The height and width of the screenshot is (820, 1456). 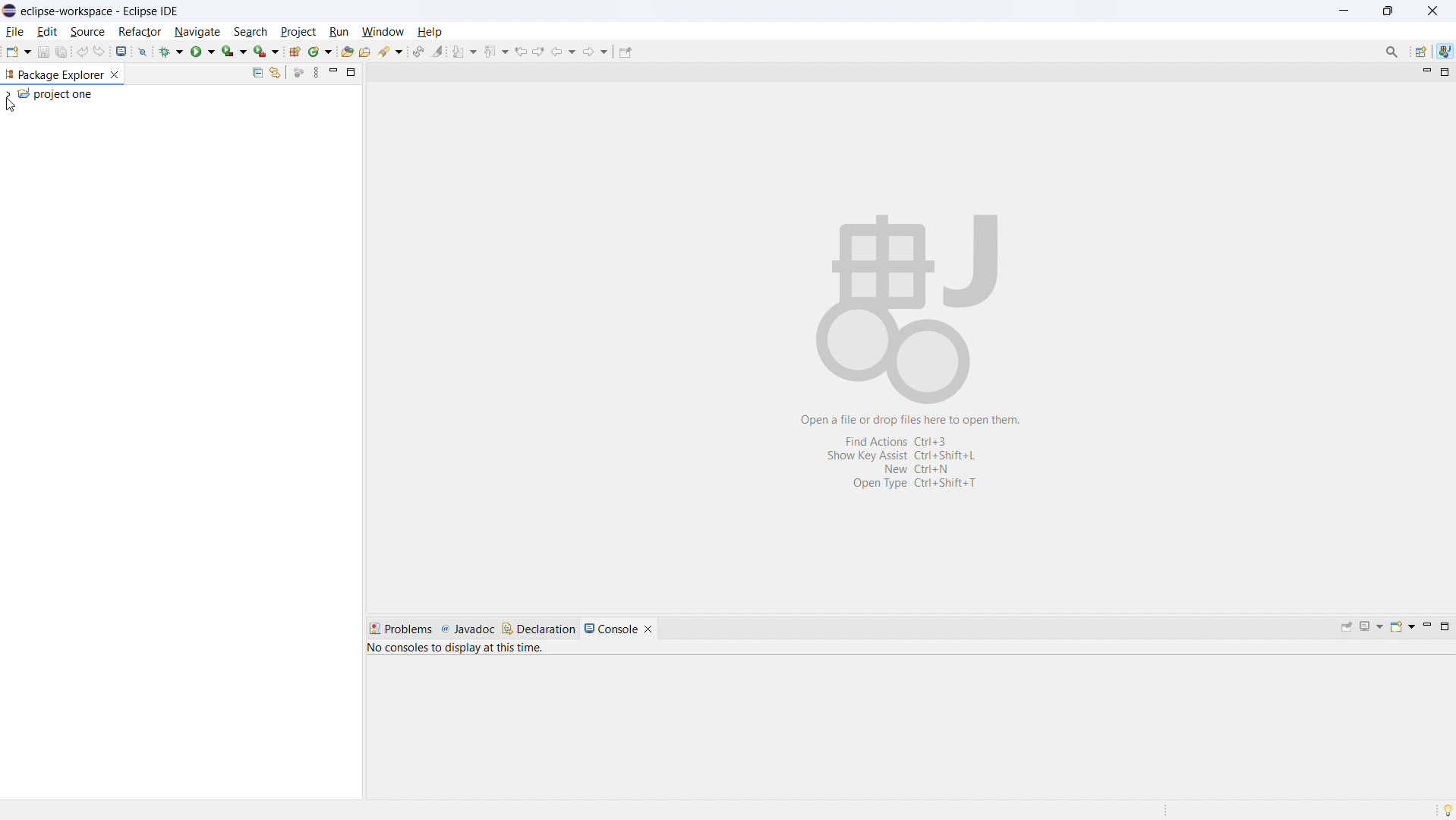 What do you see at coordinates (538, 51) in the screenshot?
I see `next edit location` at bounding box center [538, 51].